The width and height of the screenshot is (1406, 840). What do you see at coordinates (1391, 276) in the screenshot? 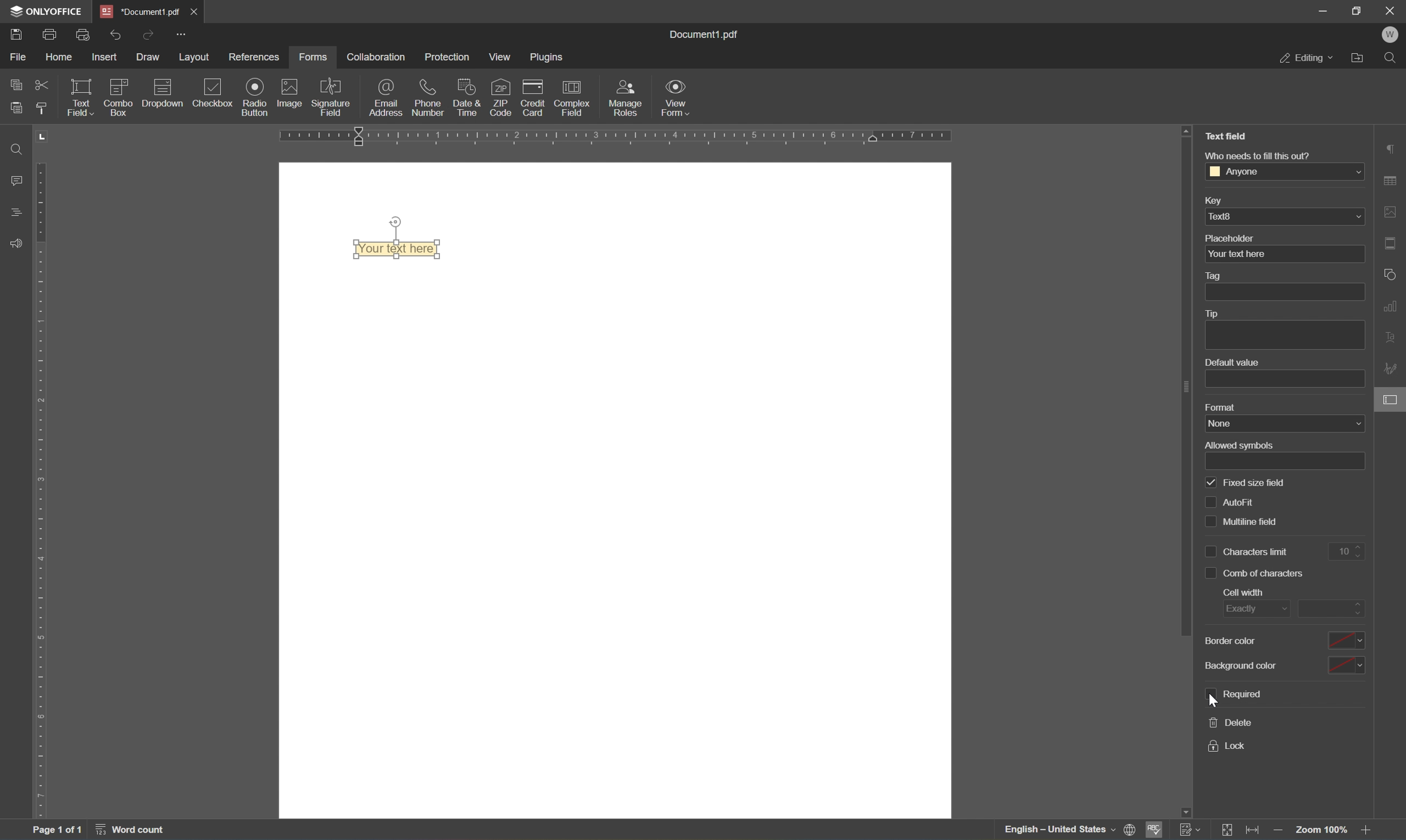
I see `shape settings` at bounding box center [1391, 276].